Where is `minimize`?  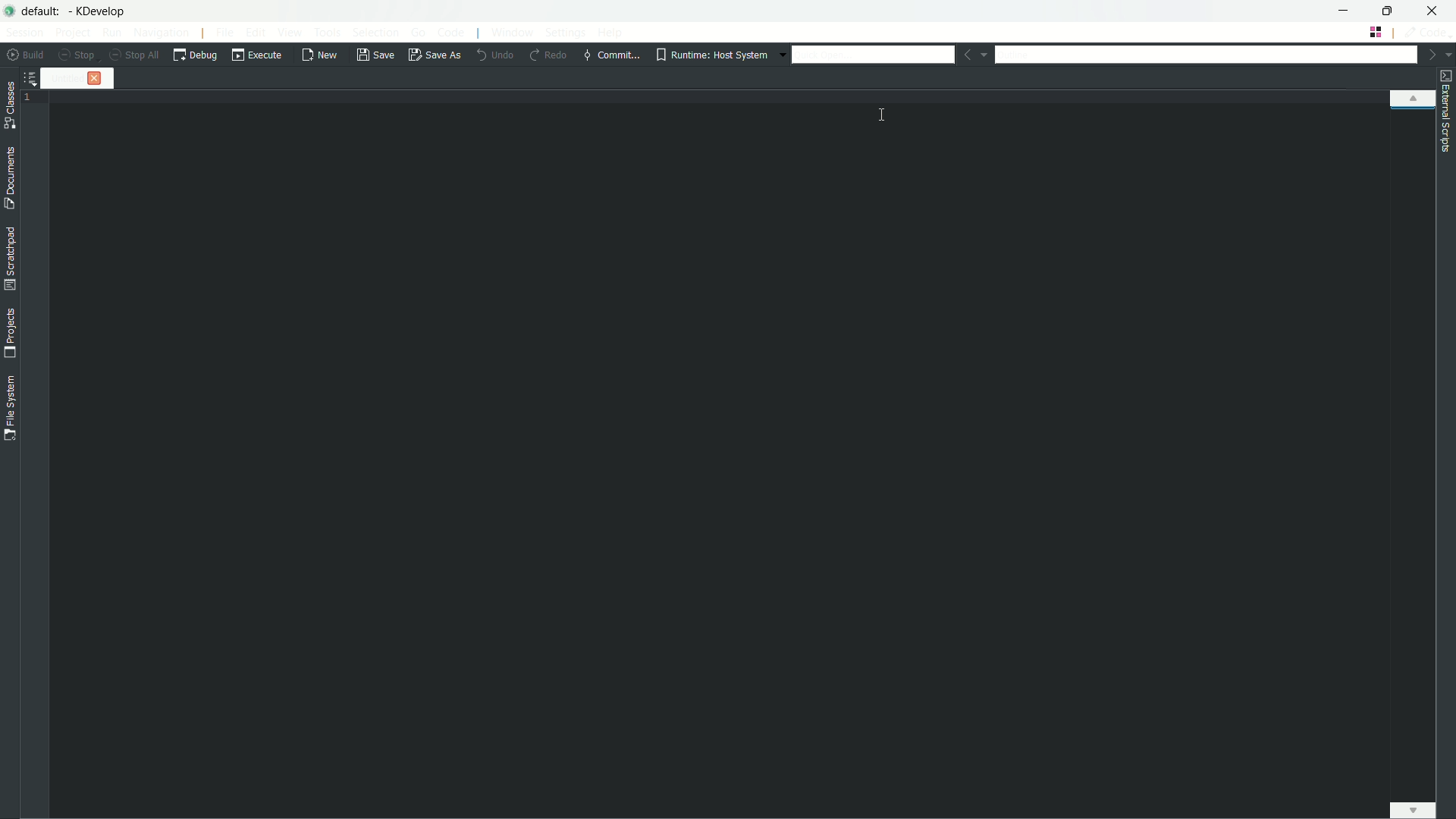 minimize is located at coordinates (1345, 10).